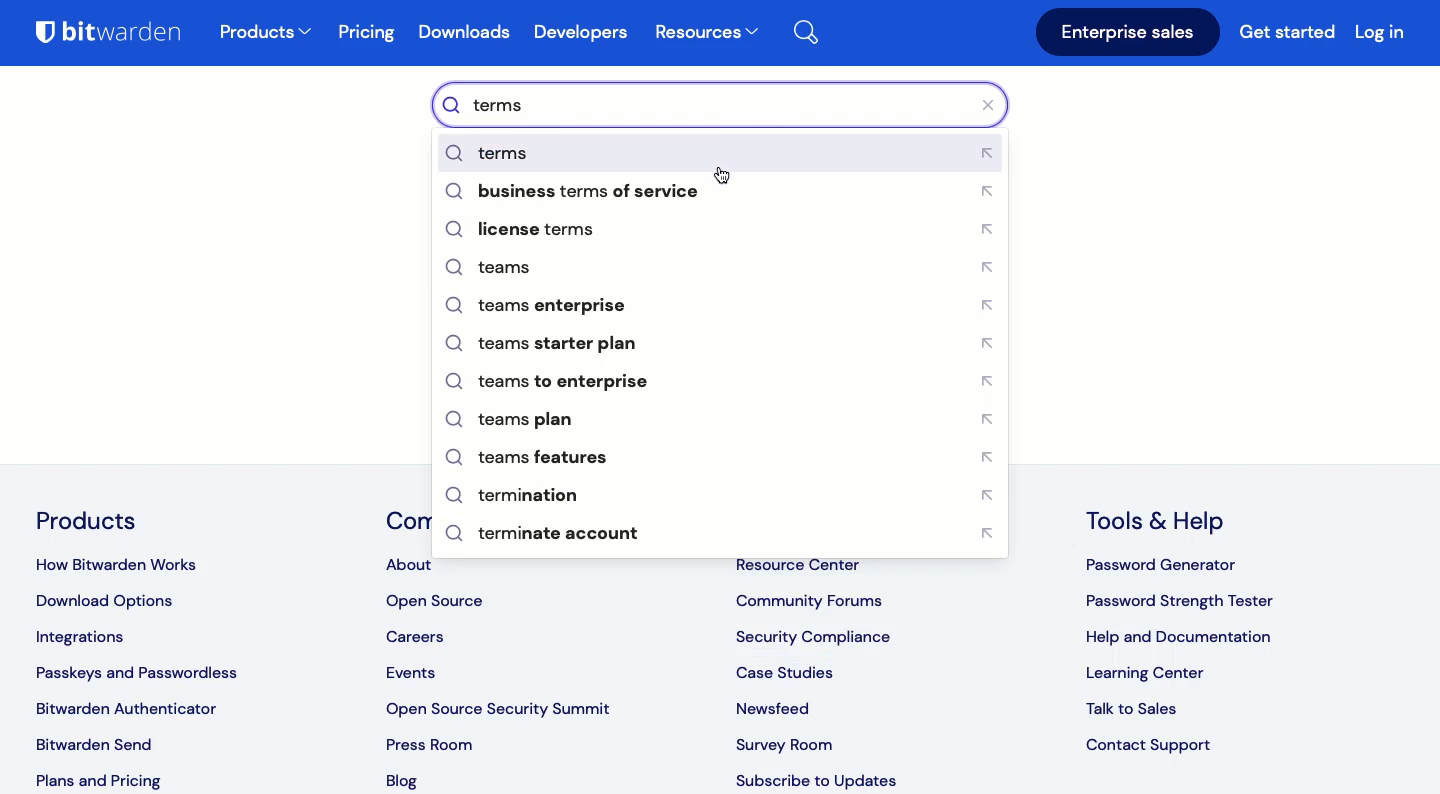 The height and width of the screenshot is (794, 1440). Describe the element at coordinates (784, 741) in the screenshot. I see `survey room` at that location.